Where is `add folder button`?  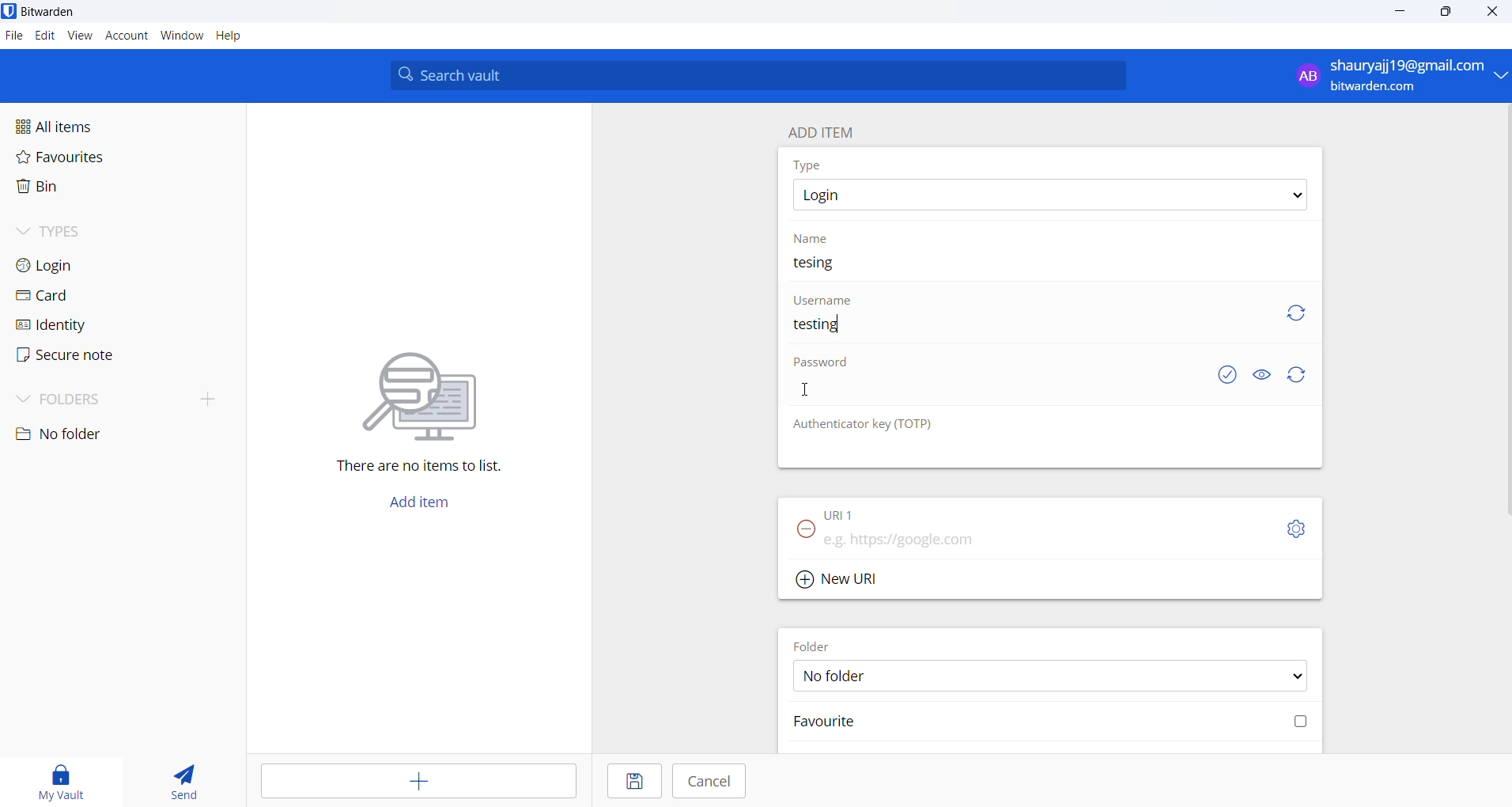
add folder button is located at coordinates (210, 398).